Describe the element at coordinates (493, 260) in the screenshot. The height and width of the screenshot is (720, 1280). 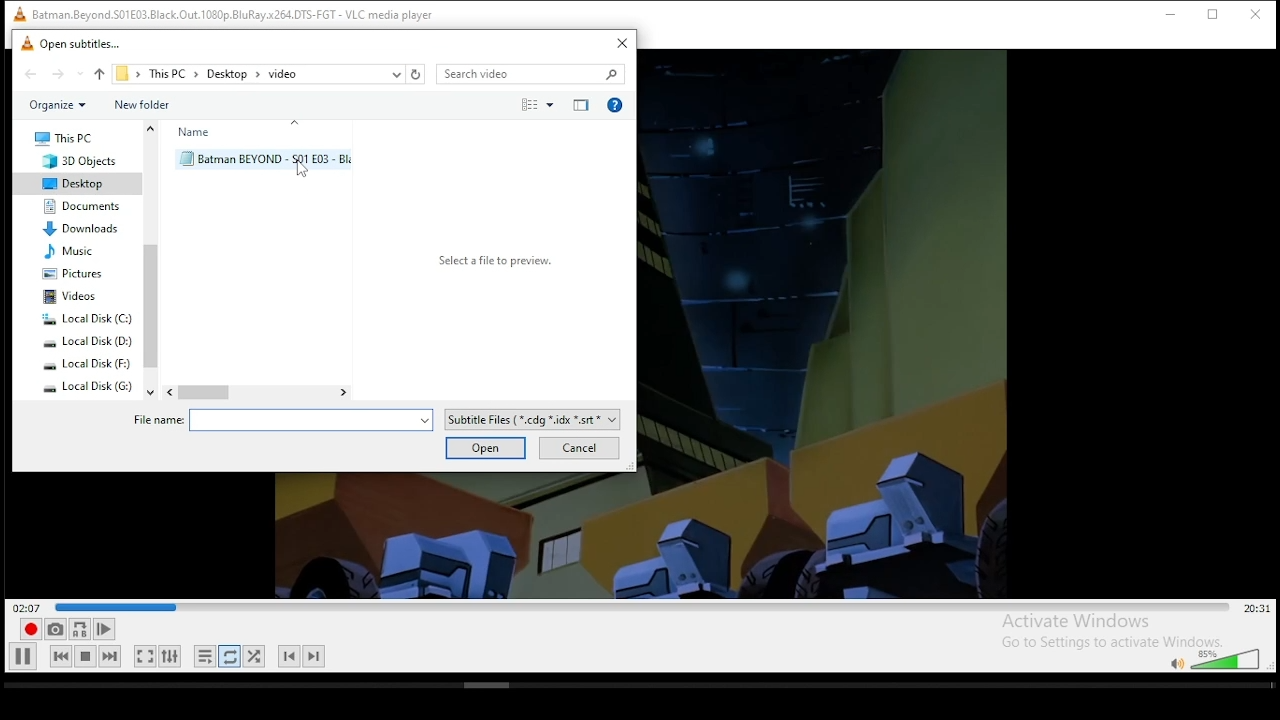
I see `Select a file to preview.` at that location.